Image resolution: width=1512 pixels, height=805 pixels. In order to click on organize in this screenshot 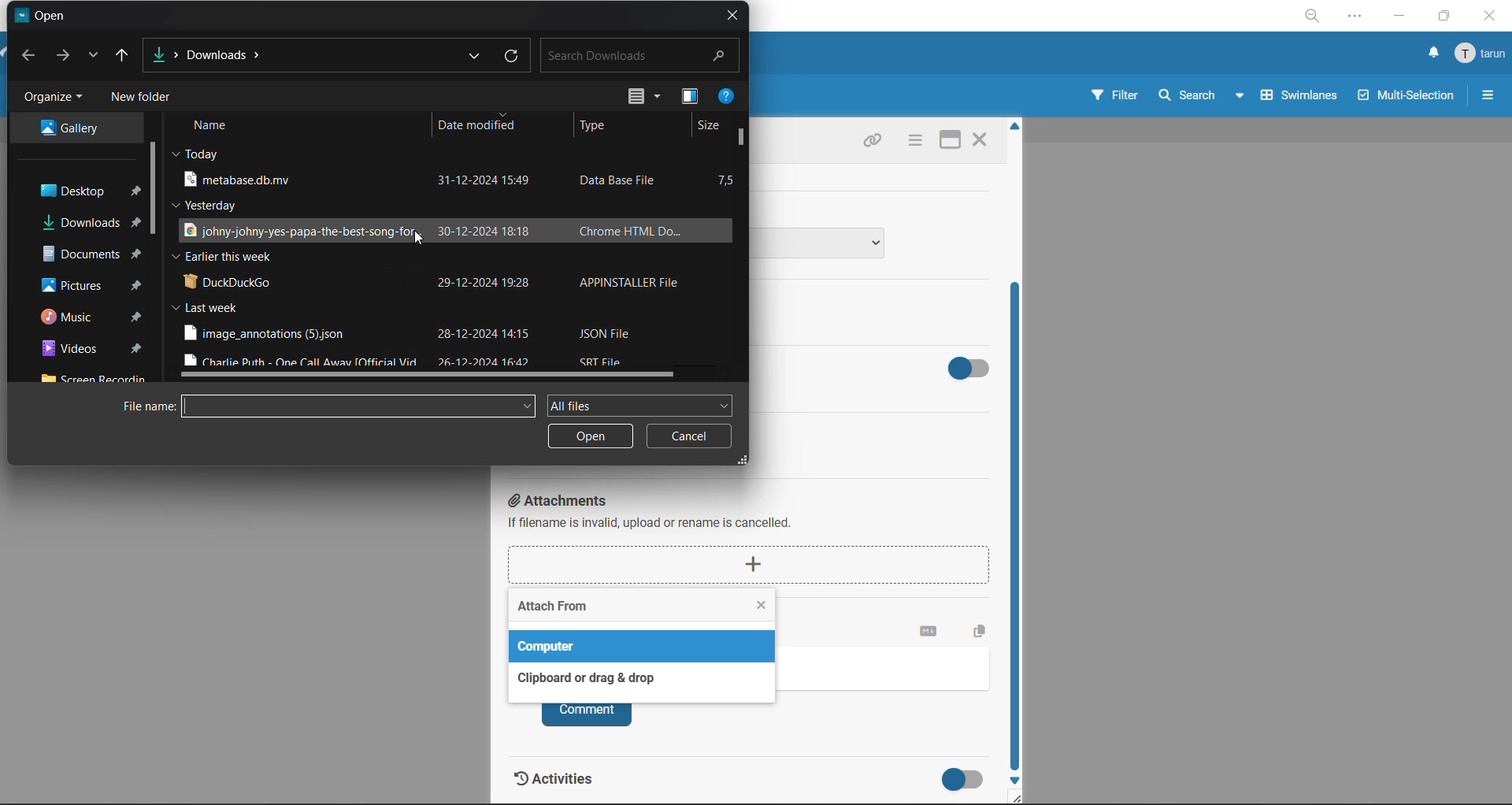, I will do `click(53, 99)`.